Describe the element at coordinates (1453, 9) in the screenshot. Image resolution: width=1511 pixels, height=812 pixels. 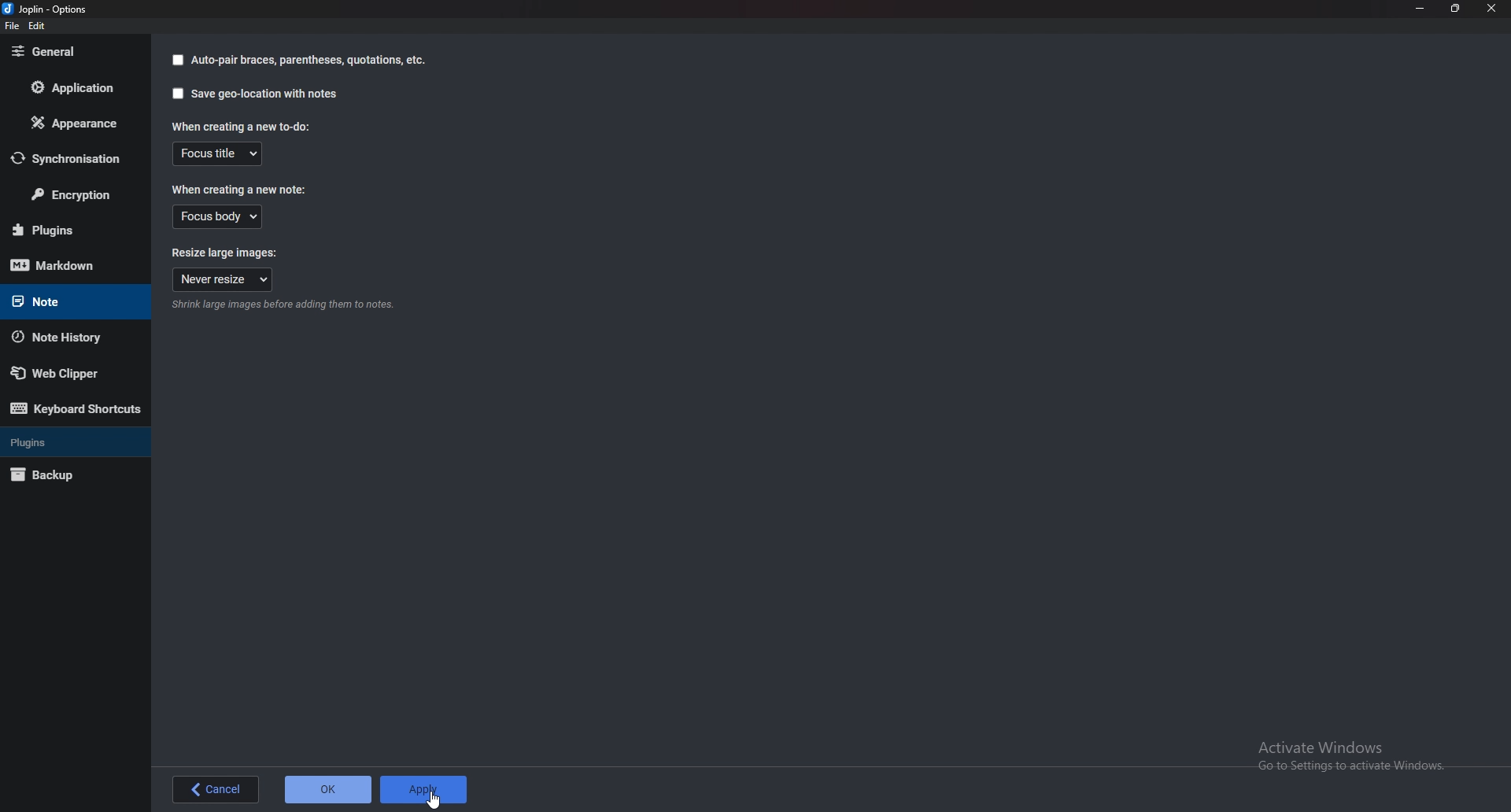
I see `Resize` at that location.